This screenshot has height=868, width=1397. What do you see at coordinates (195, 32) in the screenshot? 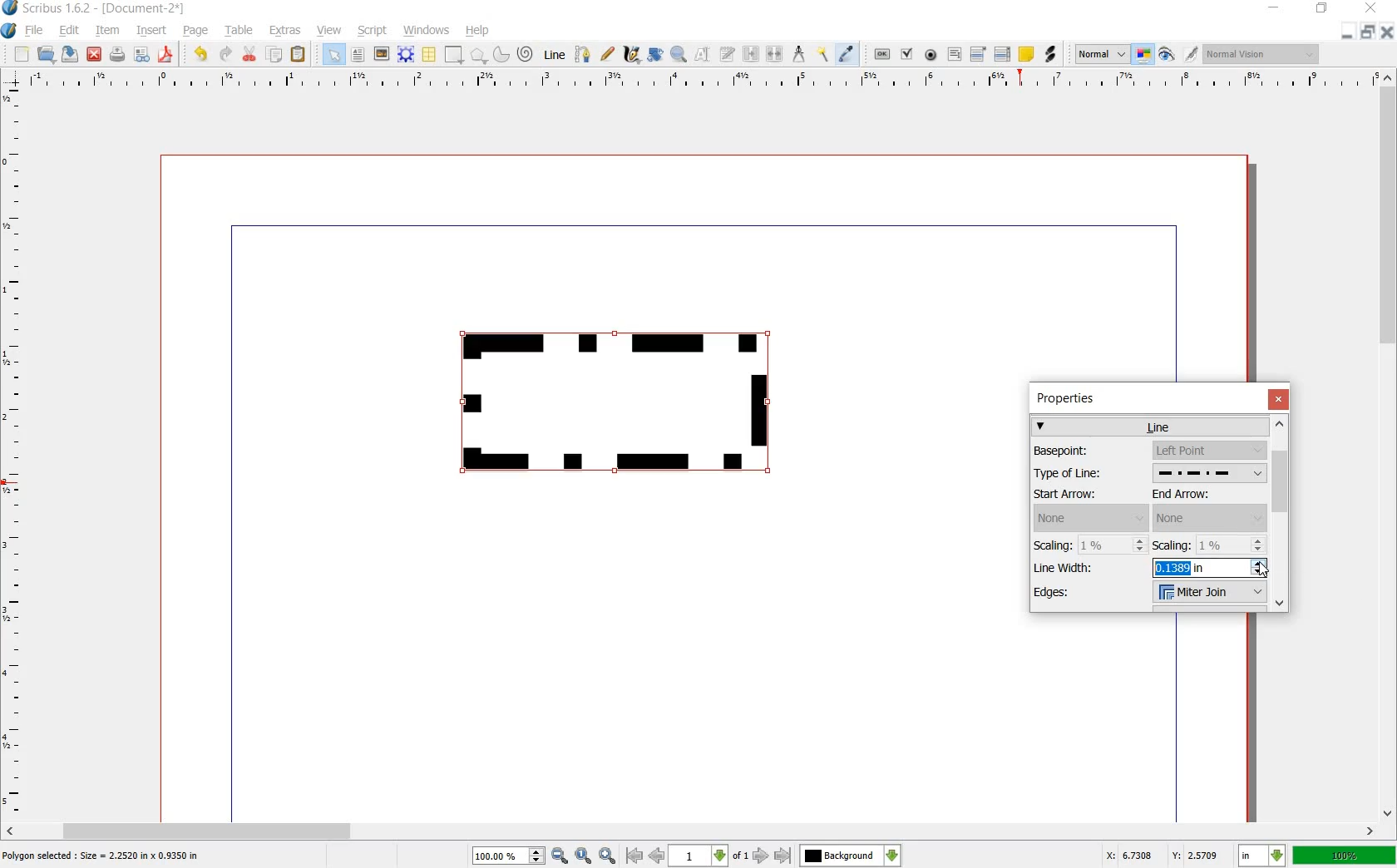
I see `PAGE` at bounding box center [195, 32].